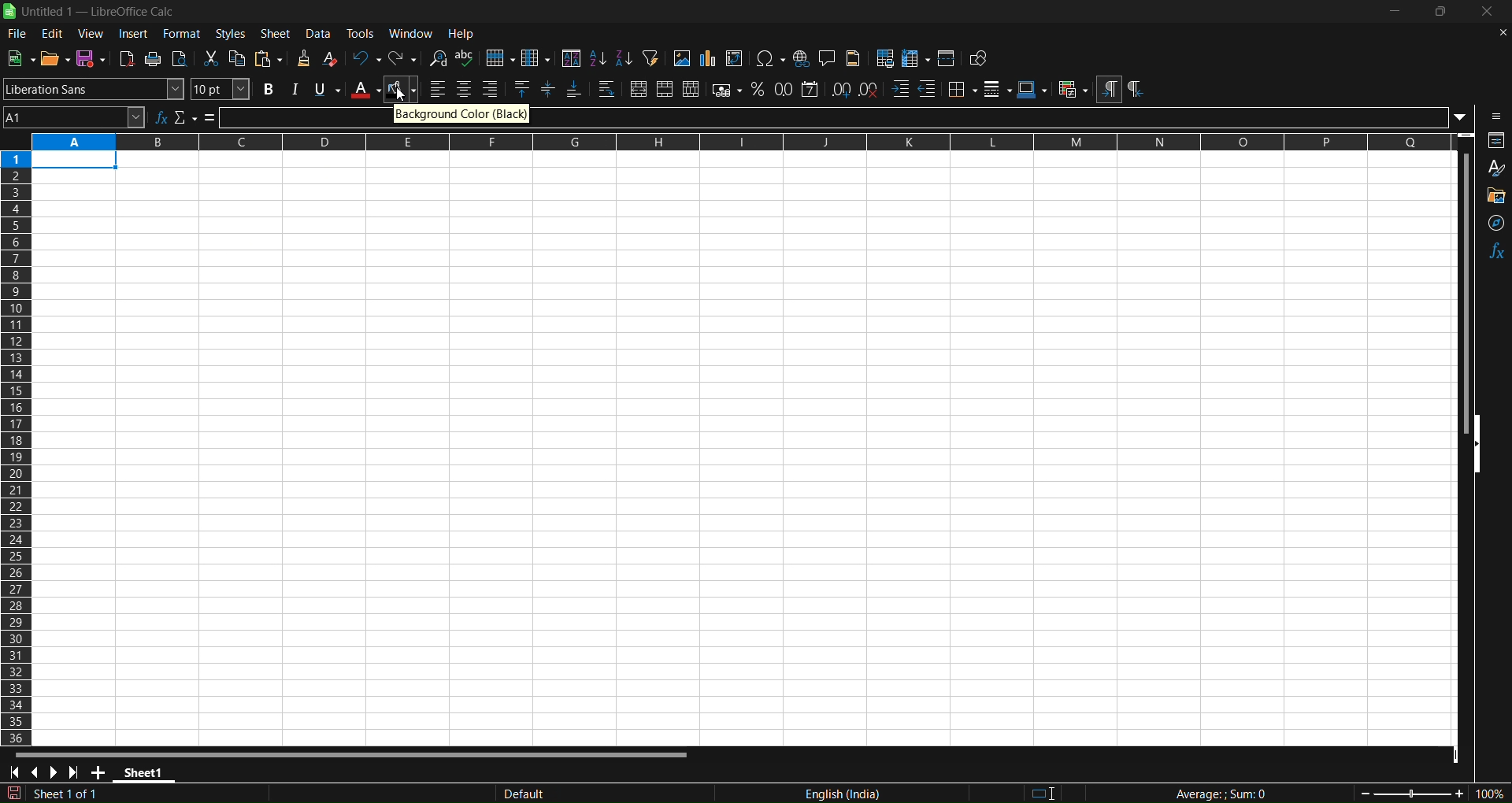 The height and width of the screenshot is (803, 1512). What do you see at coordinates (869, 89) in the screenshot?
I see `delete decimal place` at bounding box center [869, 89].